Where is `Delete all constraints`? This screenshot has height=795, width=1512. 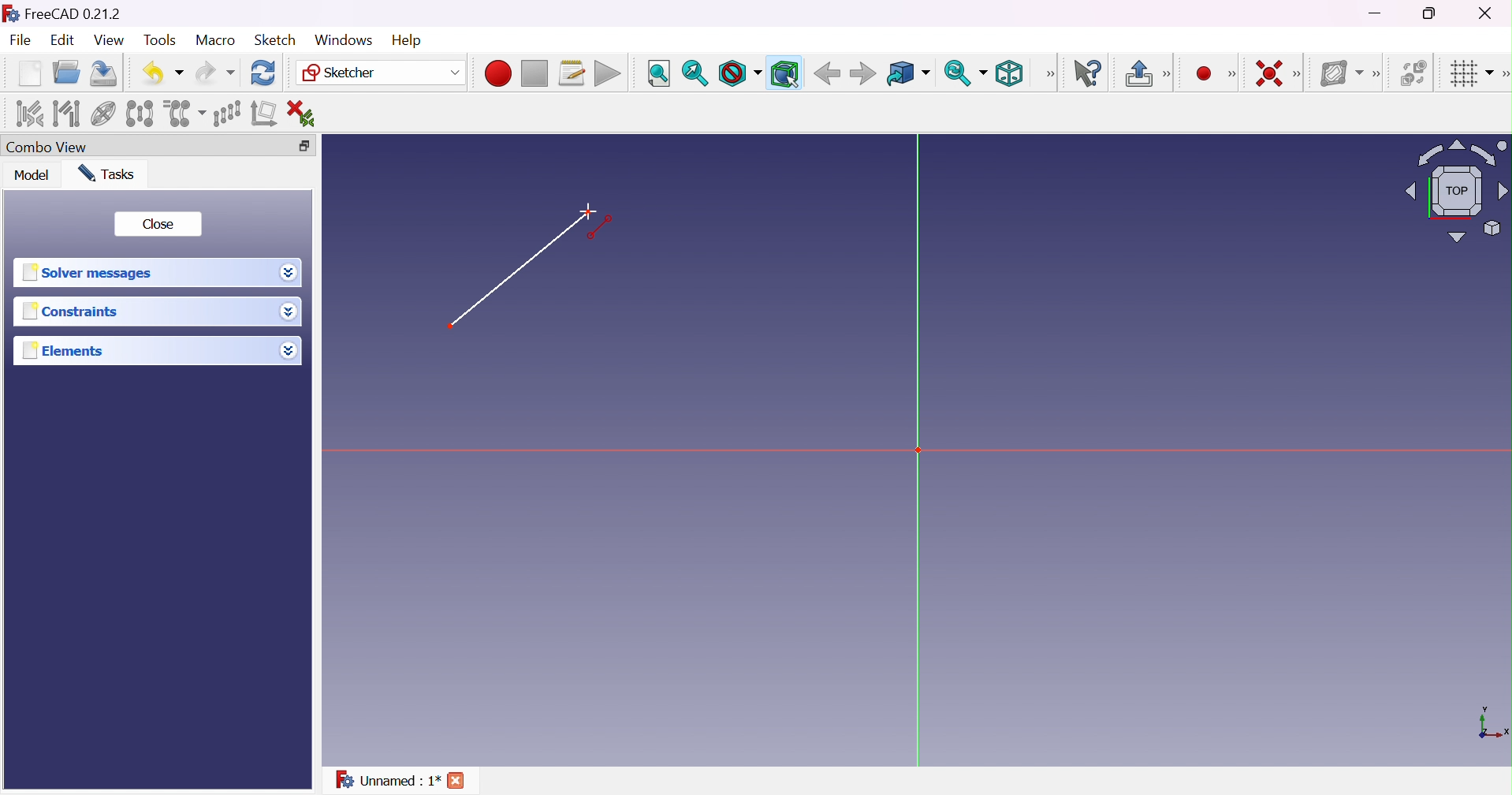
Delete all constraints is located at coordinates (306, 113).